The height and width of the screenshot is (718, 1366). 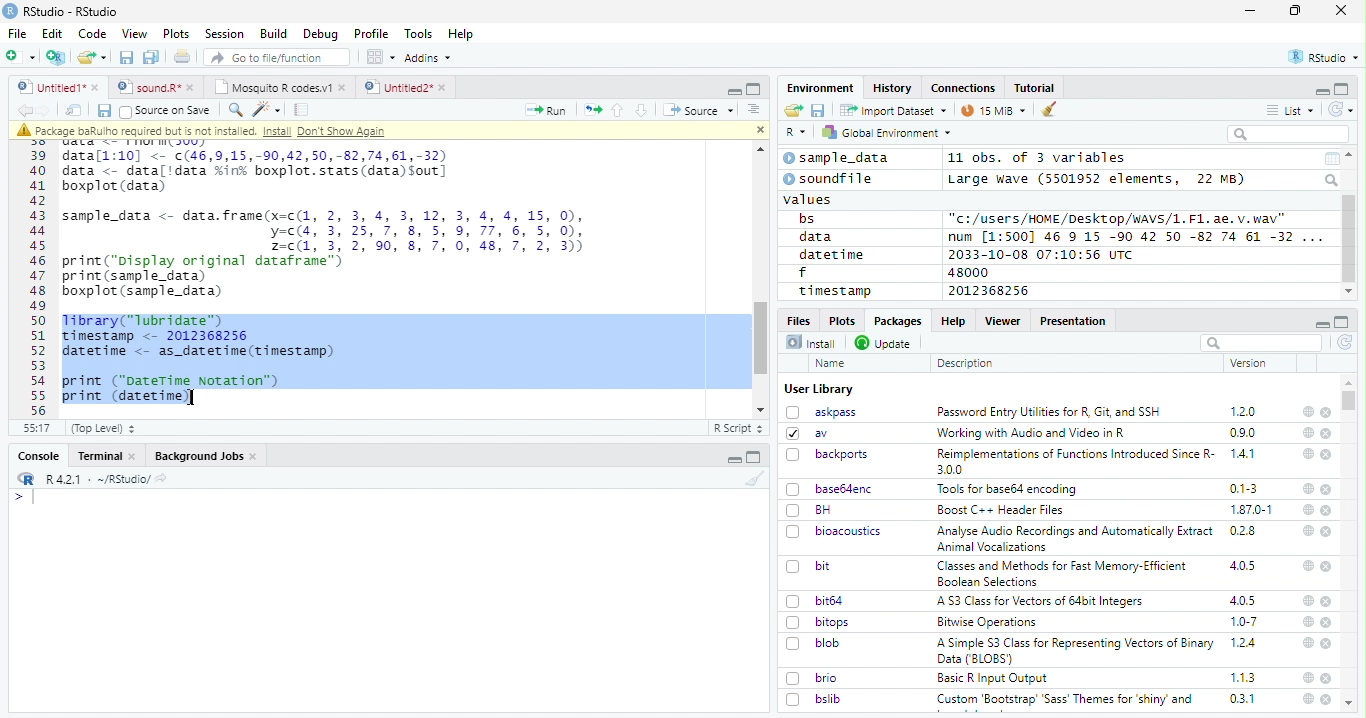 What do you see at coordinates (1243, 600) in the screenshot?
I see `4.0.5` at bounding box center [1243, 600].